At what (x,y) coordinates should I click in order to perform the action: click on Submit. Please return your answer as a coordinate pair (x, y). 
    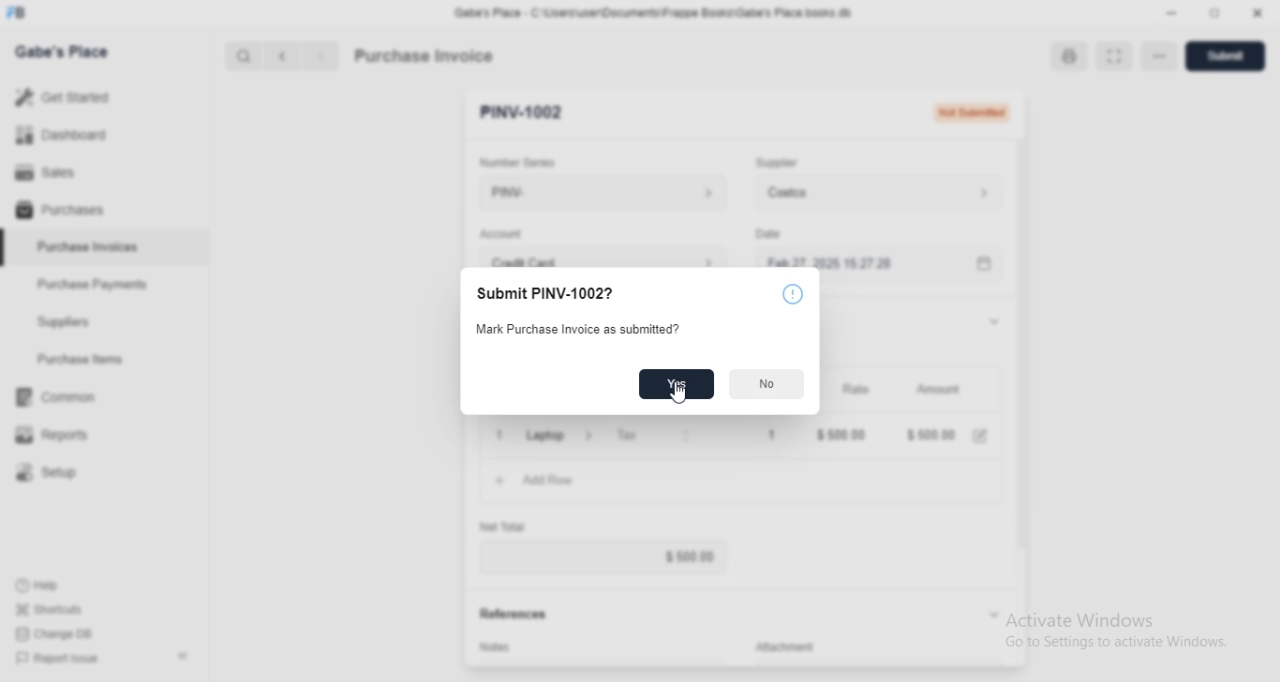
    Looking at the image, I should click on (1225, 56).